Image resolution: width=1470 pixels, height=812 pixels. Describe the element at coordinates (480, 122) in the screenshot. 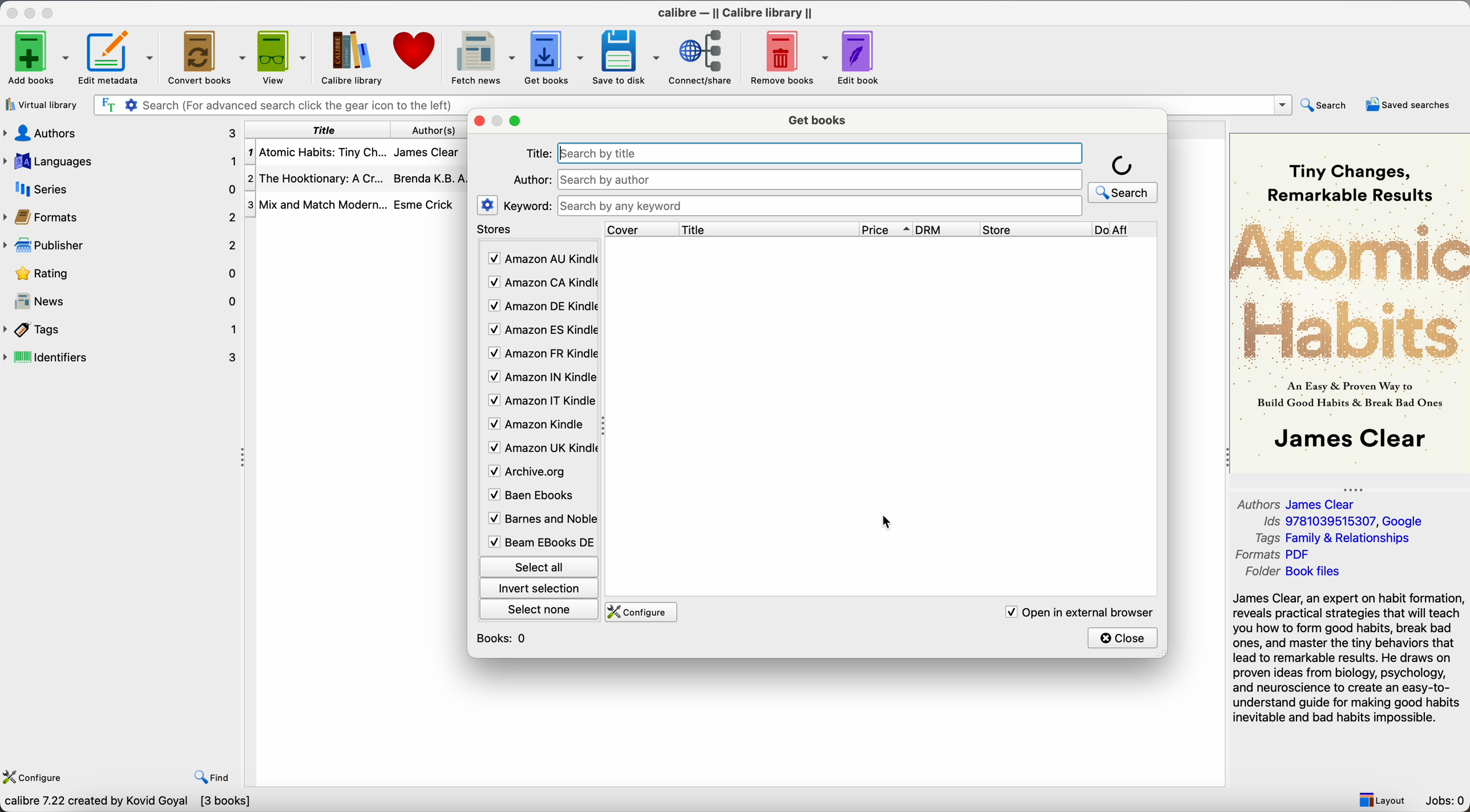

I see `close` at that location.